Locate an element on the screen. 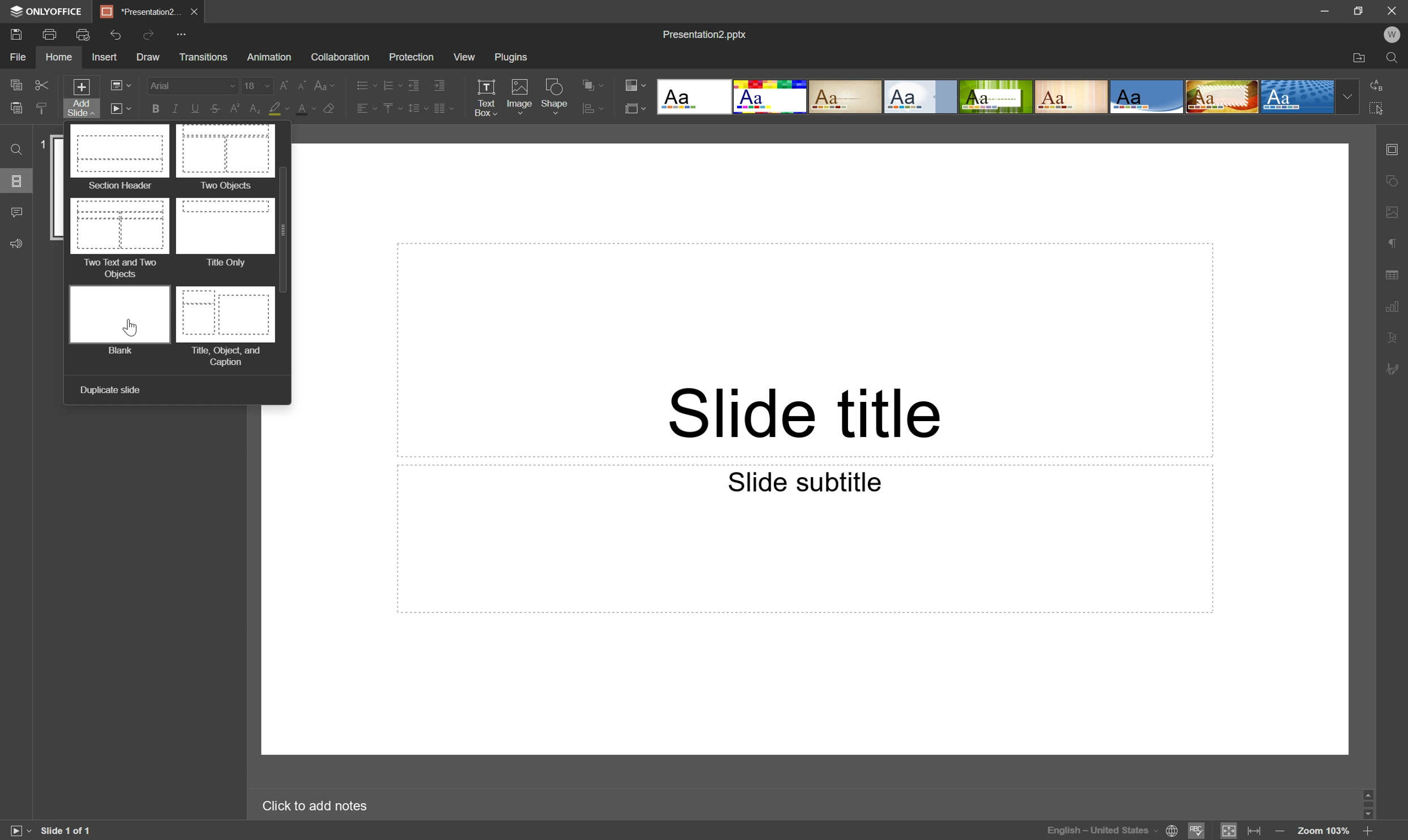  Print file is located at coordinates (50, 35).